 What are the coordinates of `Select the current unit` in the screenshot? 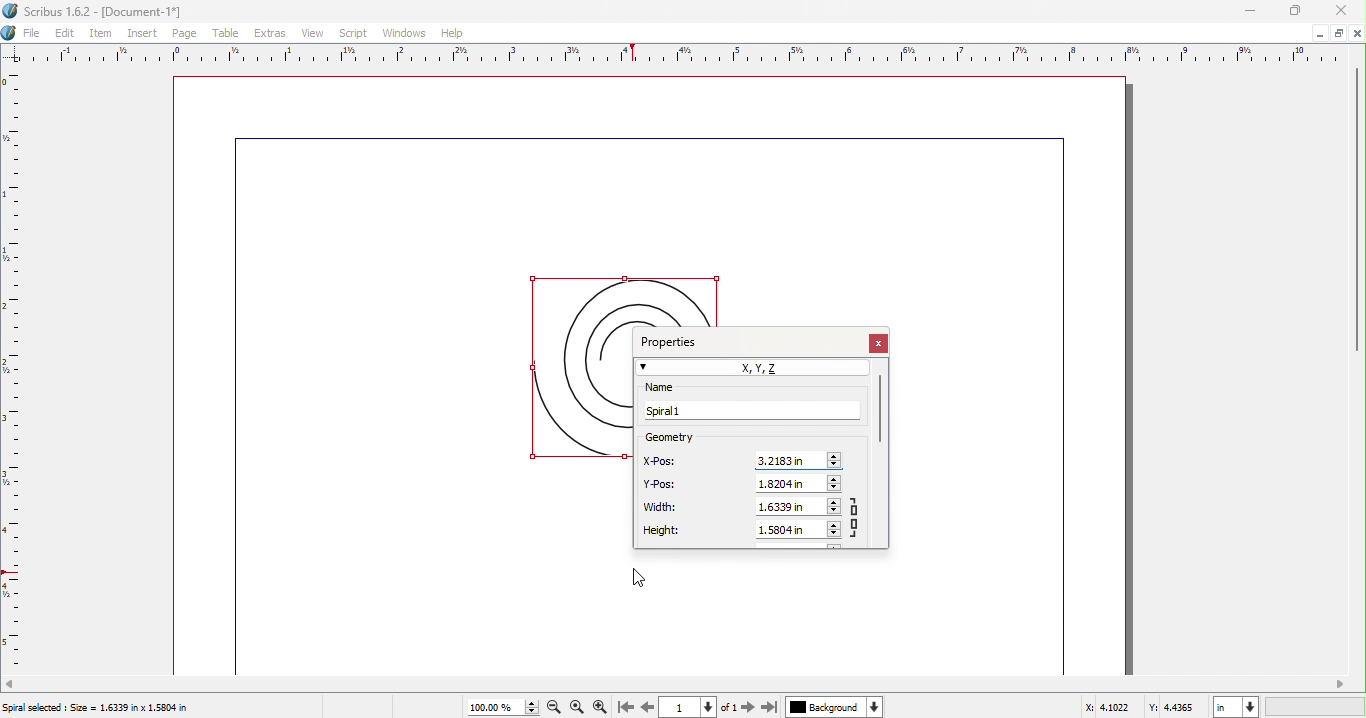 It's located at (1226, 707).